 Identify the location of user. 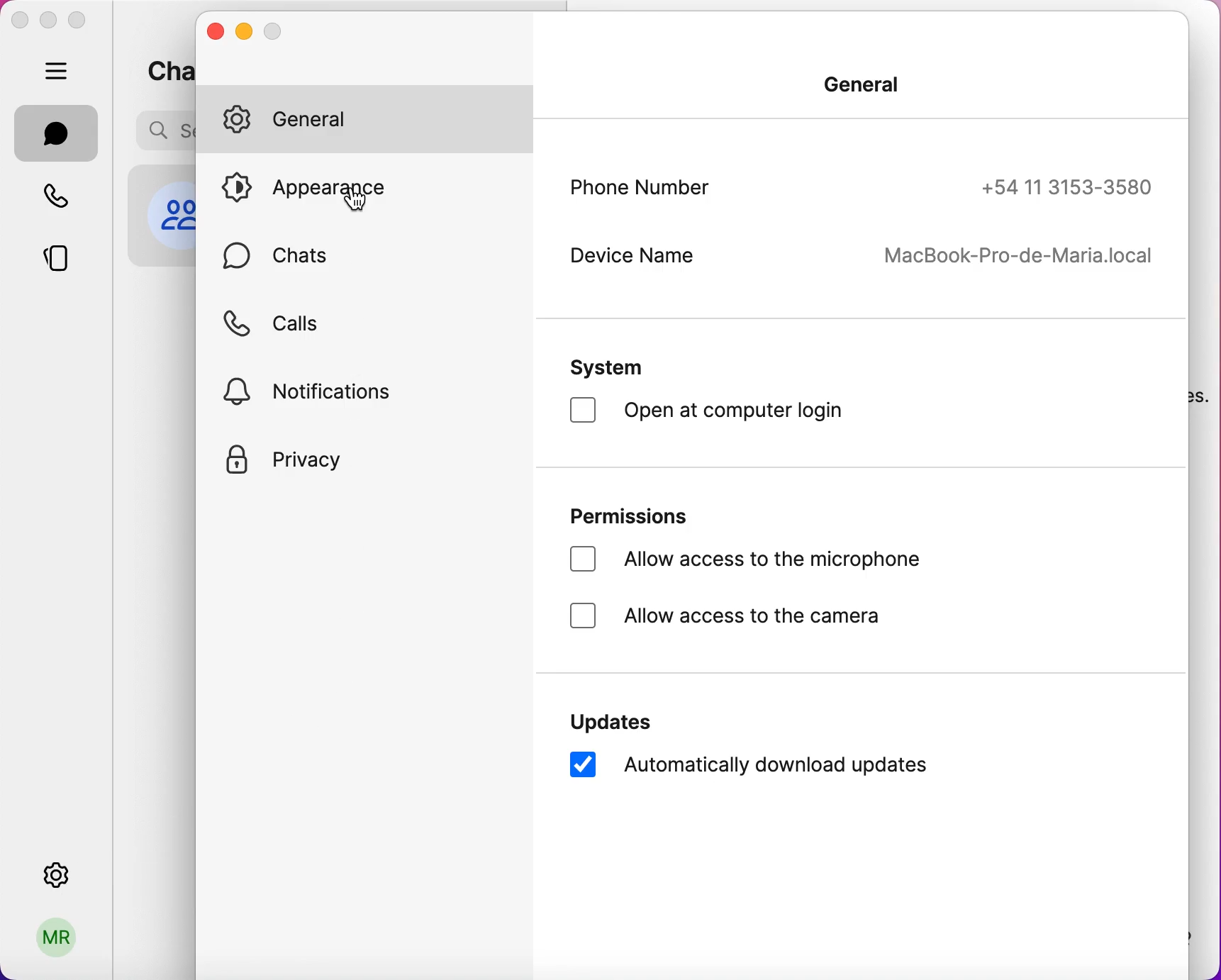
(62, 942).